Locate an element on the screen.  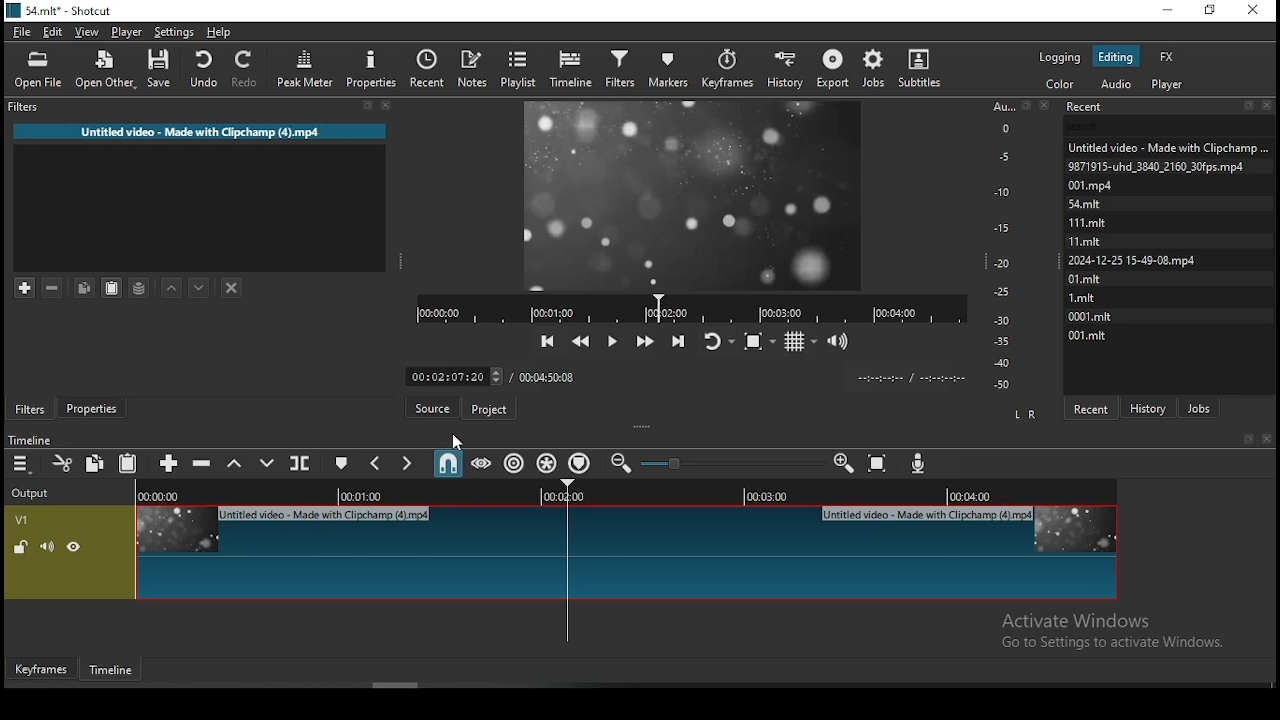
Output is located at coordinates (29, 493).